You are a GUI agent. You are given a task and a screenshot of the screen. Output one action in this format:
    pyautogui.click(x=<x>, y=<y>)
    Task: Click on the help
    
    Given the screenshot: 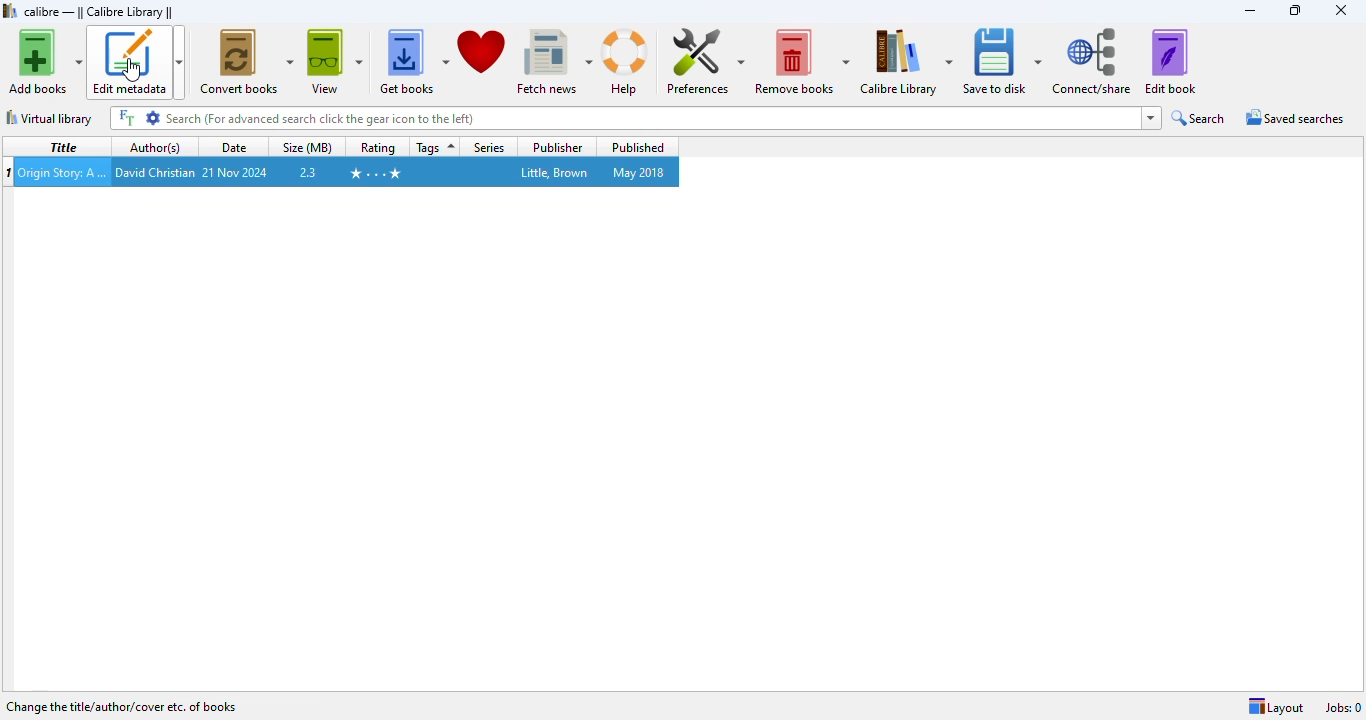 What is the action you would take?
    pyautogui.click(x=625, y=61)
    